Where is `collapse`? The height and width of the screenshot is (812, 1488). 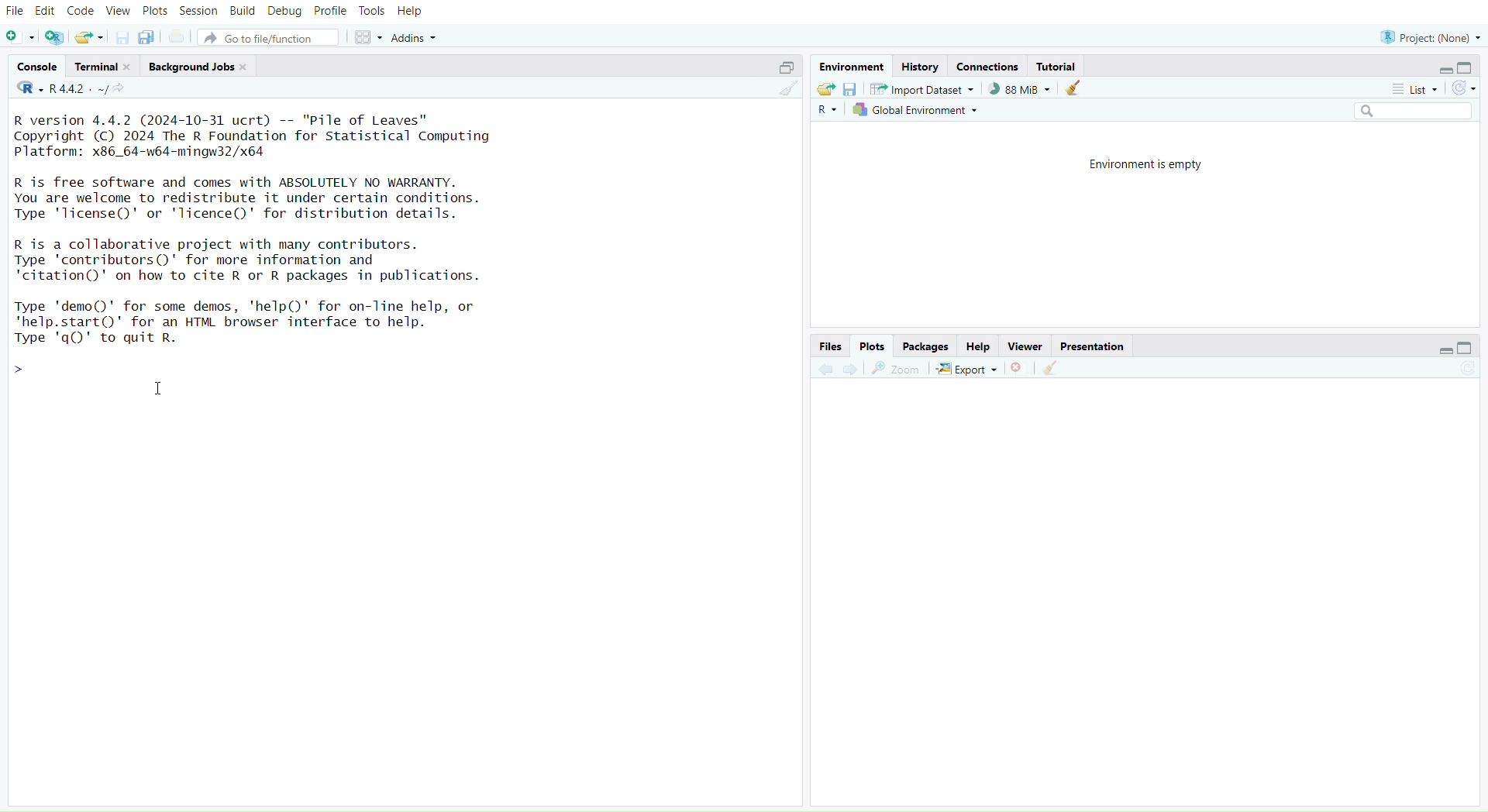
collapse is located at coordinates (1469, 67).